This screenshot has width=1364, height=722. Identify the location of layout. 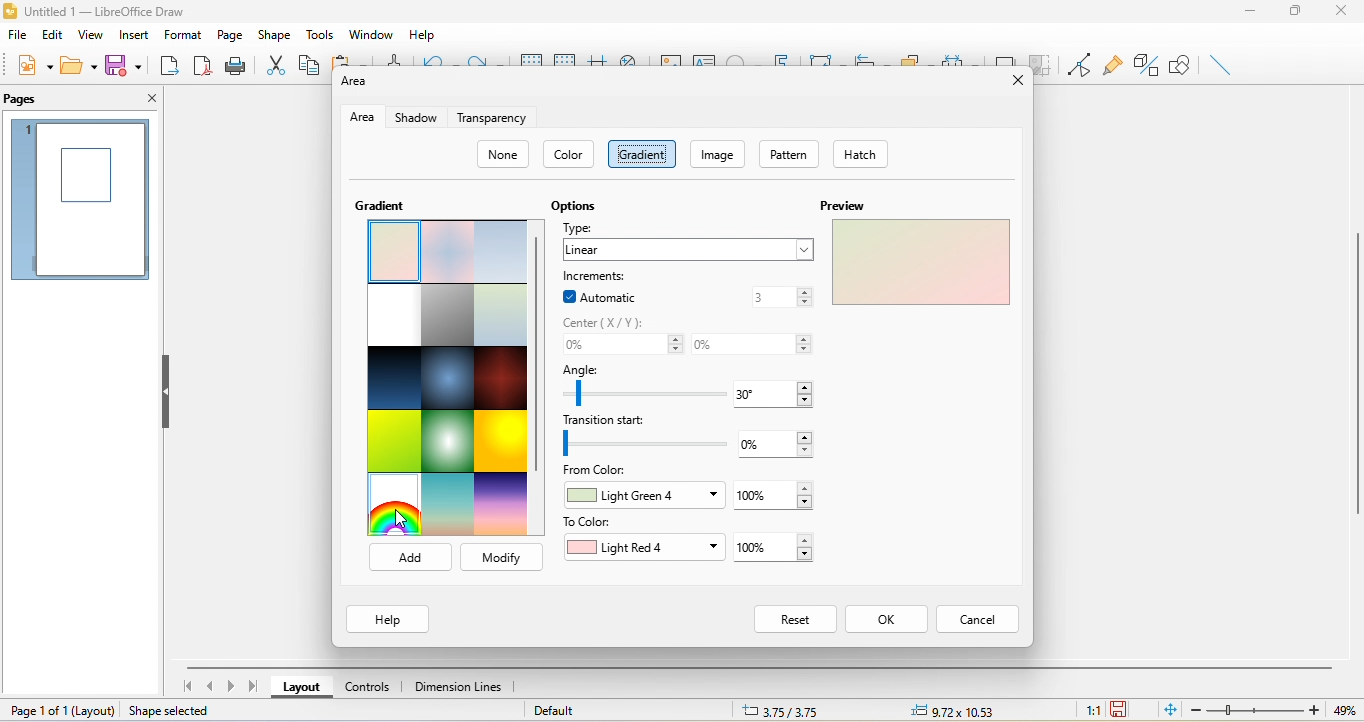
(303, 687).